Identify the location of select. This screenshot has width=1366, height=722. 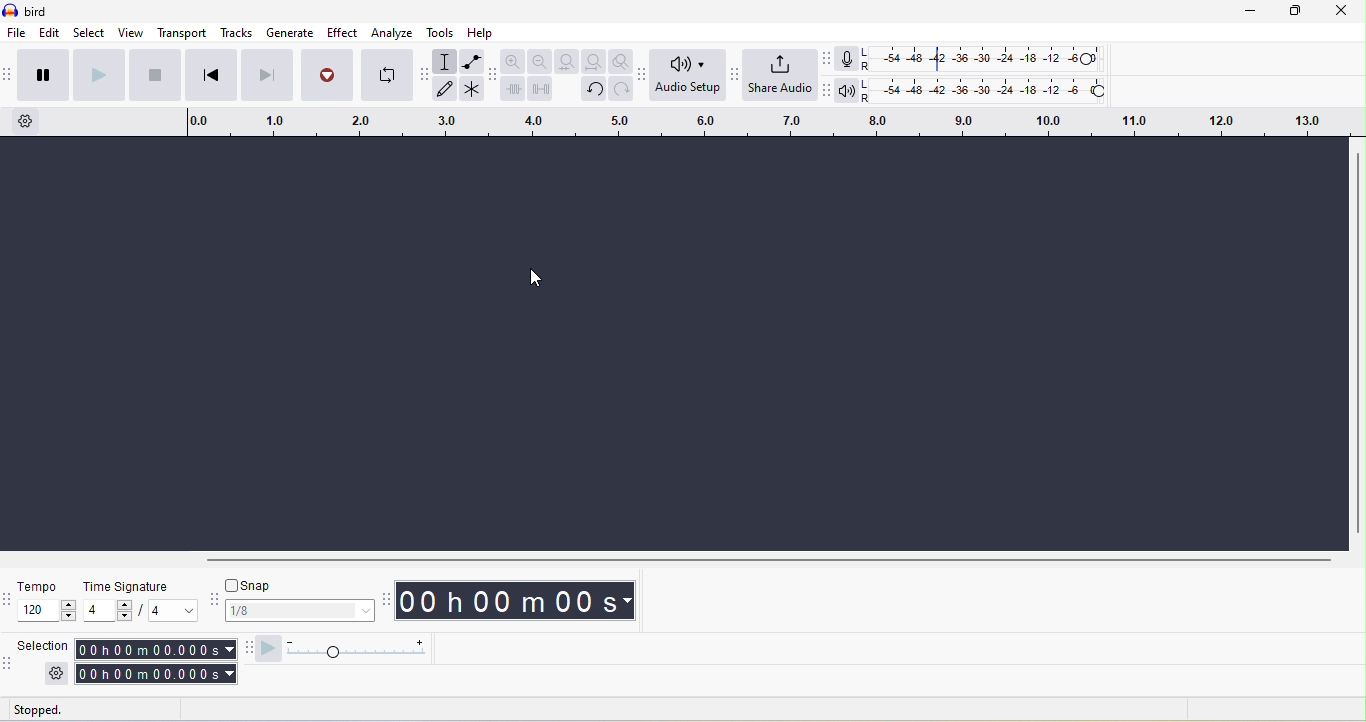
(88, 34).